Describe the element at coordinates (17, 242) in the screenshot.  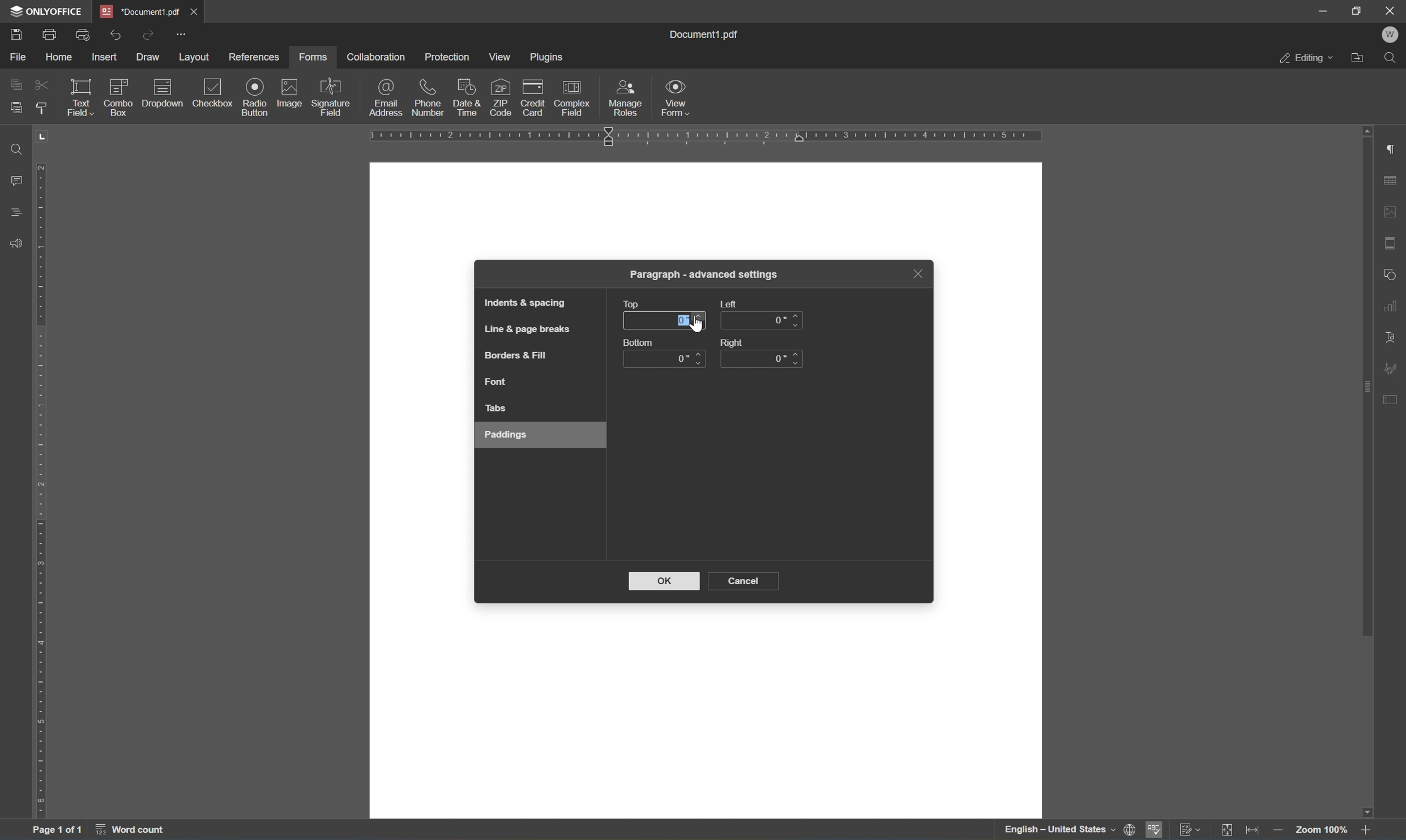
I see `feedback &support` at that location.